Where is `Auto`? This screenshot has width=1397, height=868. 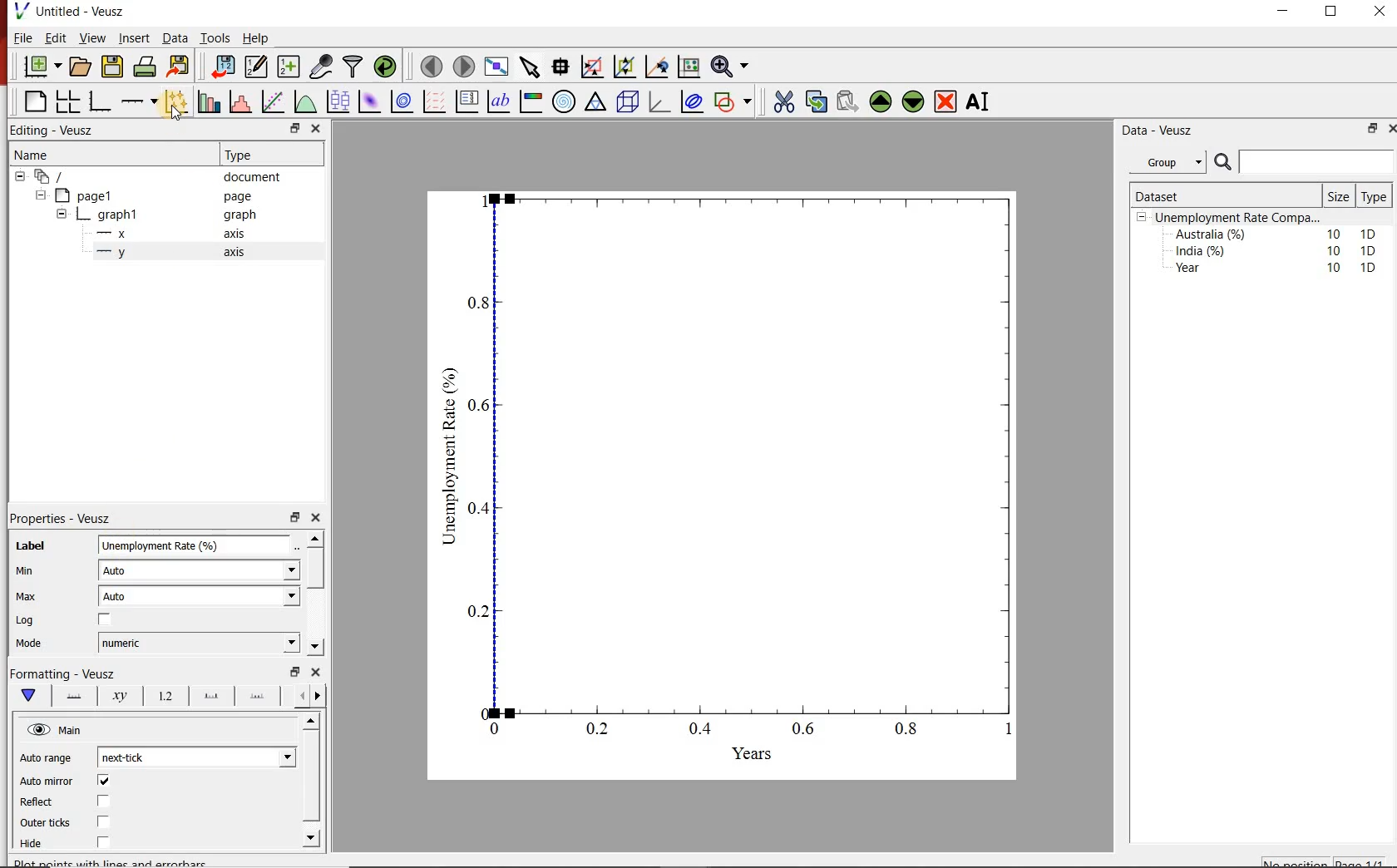
Auto is located at coordinates (200, 596).